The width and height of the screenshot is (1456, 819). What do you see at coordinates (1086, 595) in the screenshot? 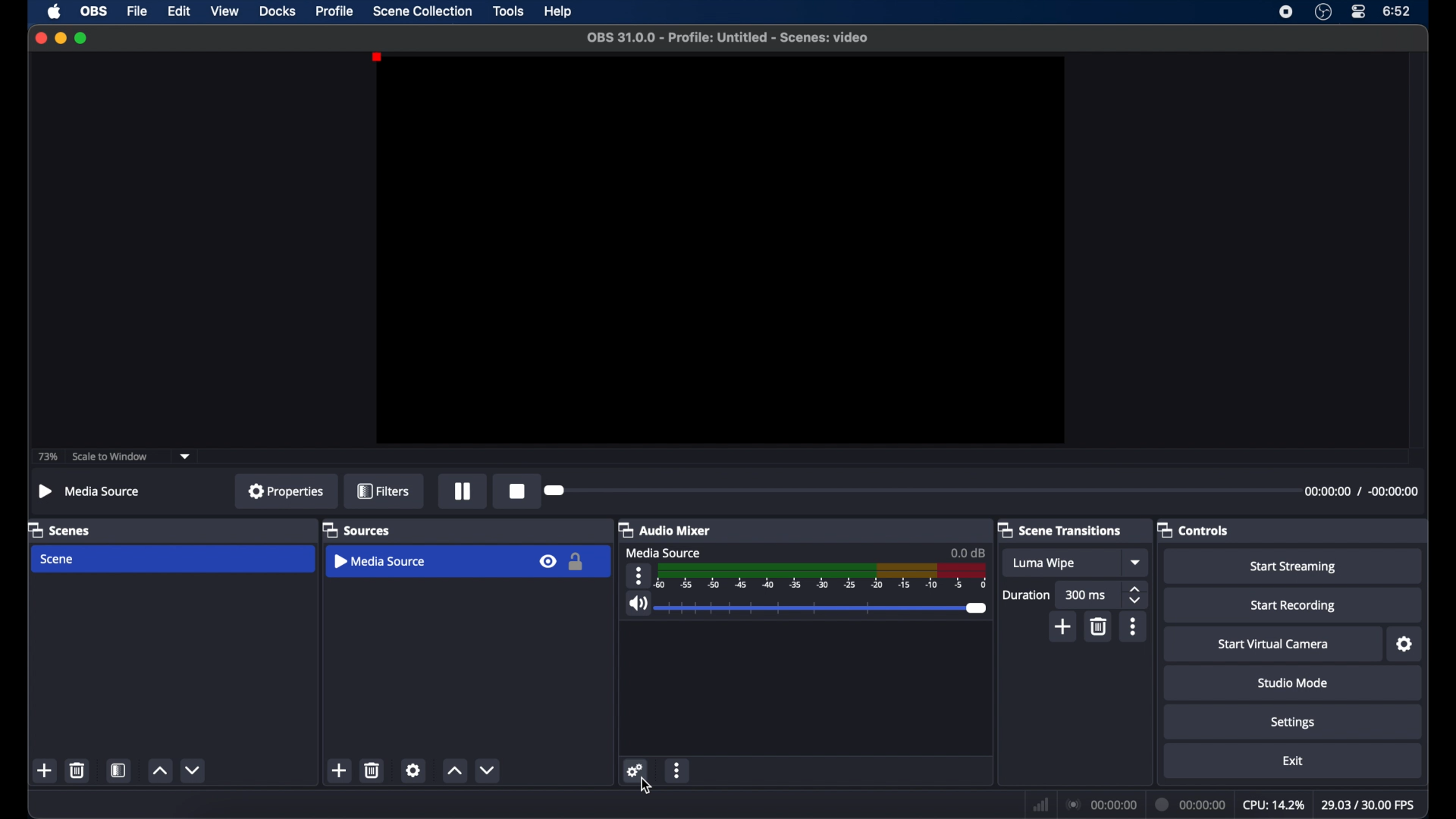
I see `300 ms` at bounding box center [1086, 595].